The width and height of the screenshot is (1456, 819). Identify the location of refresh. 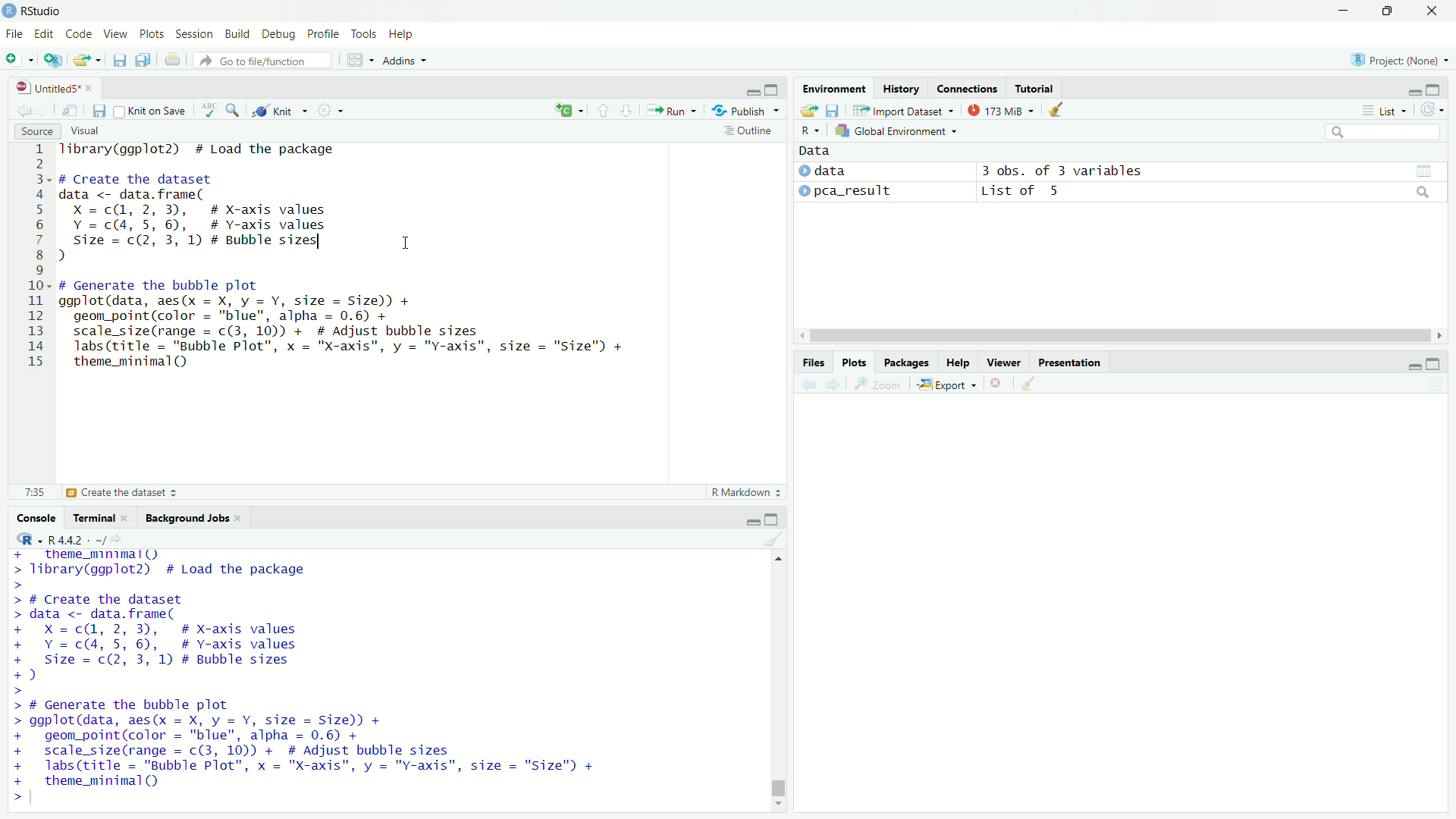
(1433, 109).